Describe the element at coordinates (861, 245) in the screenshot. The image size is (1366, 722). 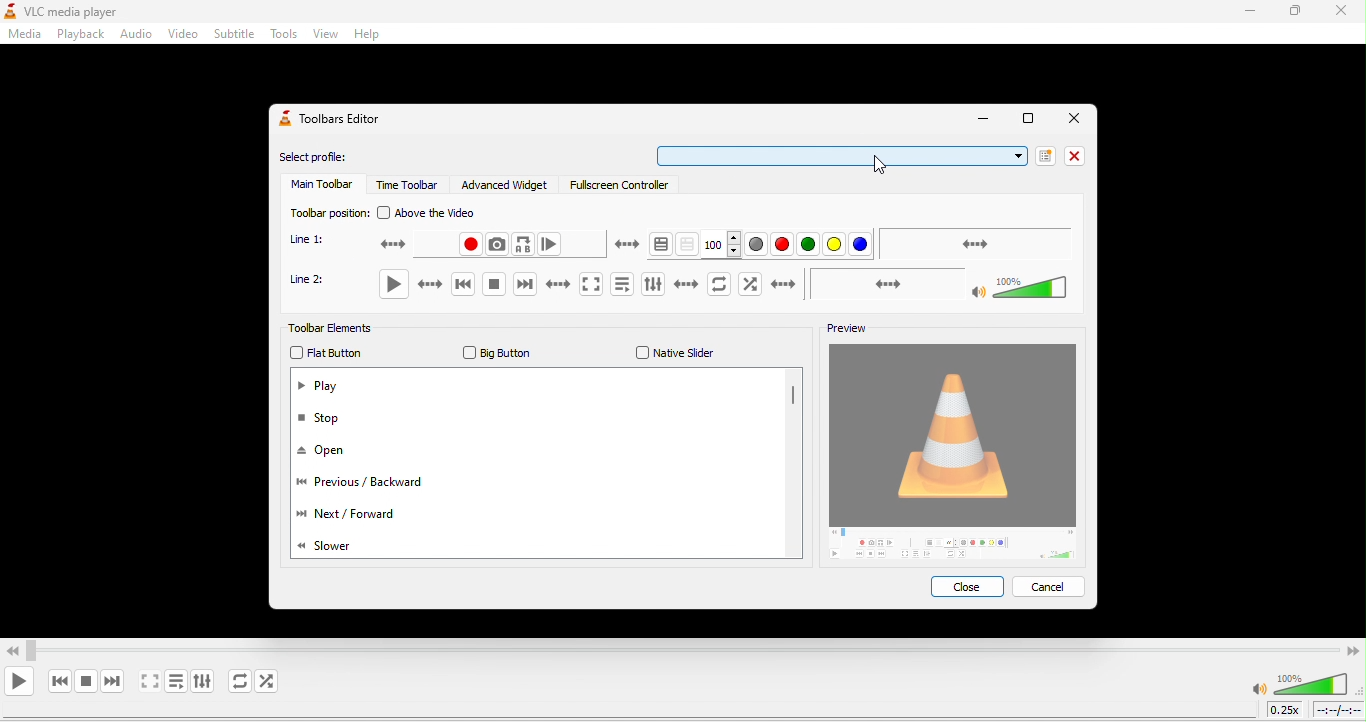
I see `blue color` at that location.